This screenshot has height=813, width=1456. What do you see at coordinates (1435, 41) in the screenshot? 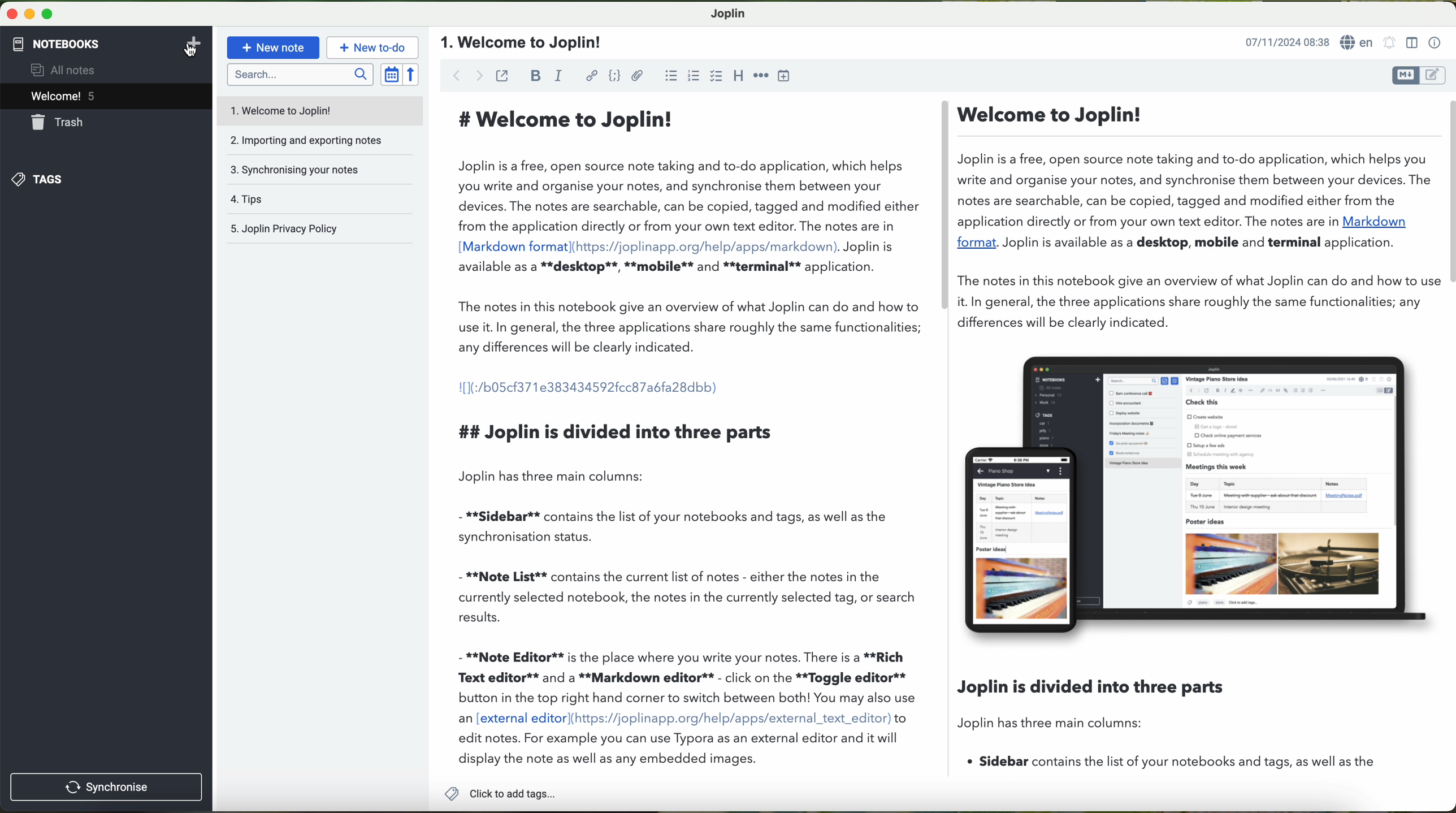
I see `note properties` at bounding box center [1435, 41].